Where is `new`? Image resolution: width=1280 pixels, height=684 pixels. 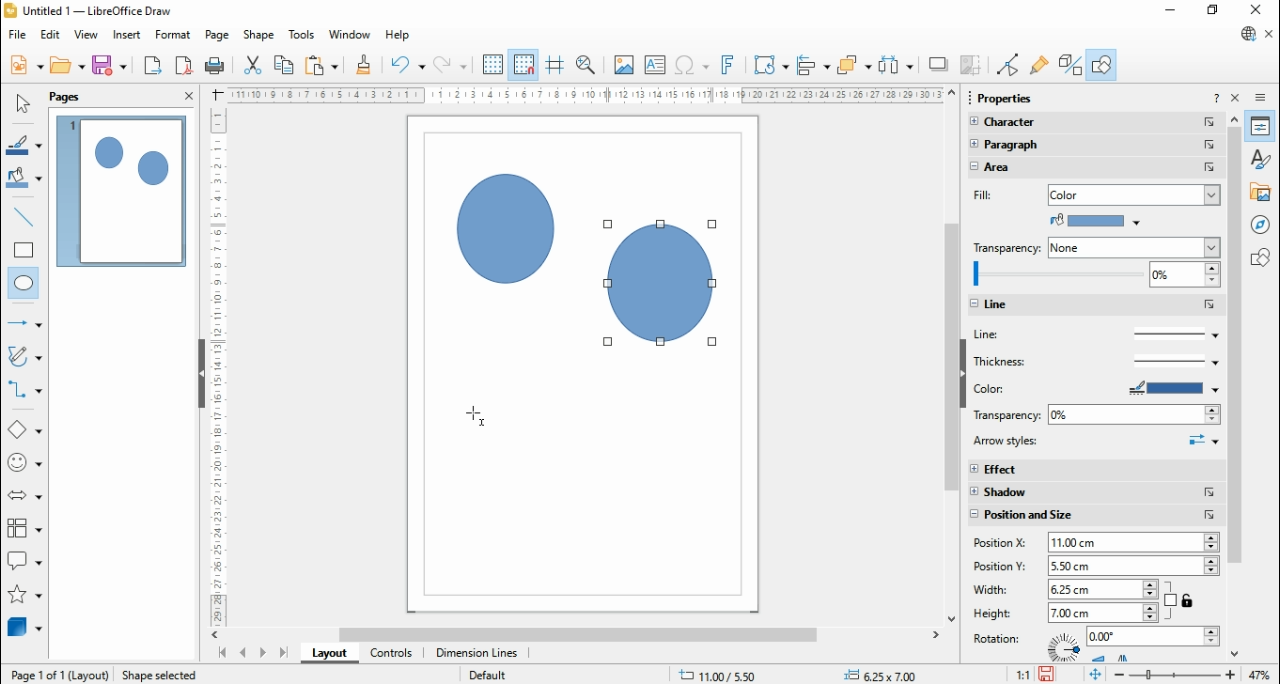 new is located at coordinates (26, 64).